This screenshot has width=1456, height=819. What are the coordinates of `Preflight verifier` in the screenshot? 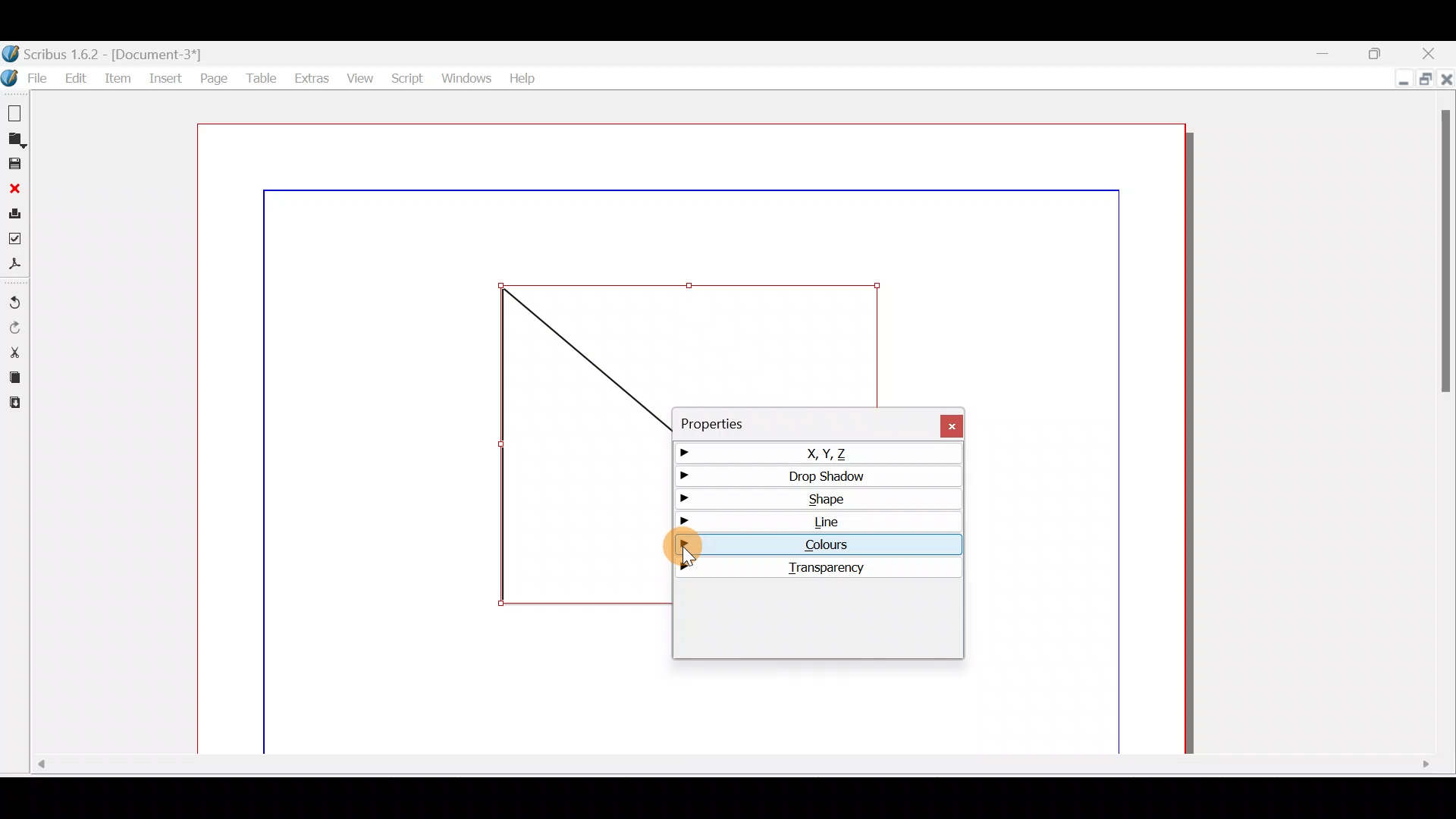 It's located at (18, 237).